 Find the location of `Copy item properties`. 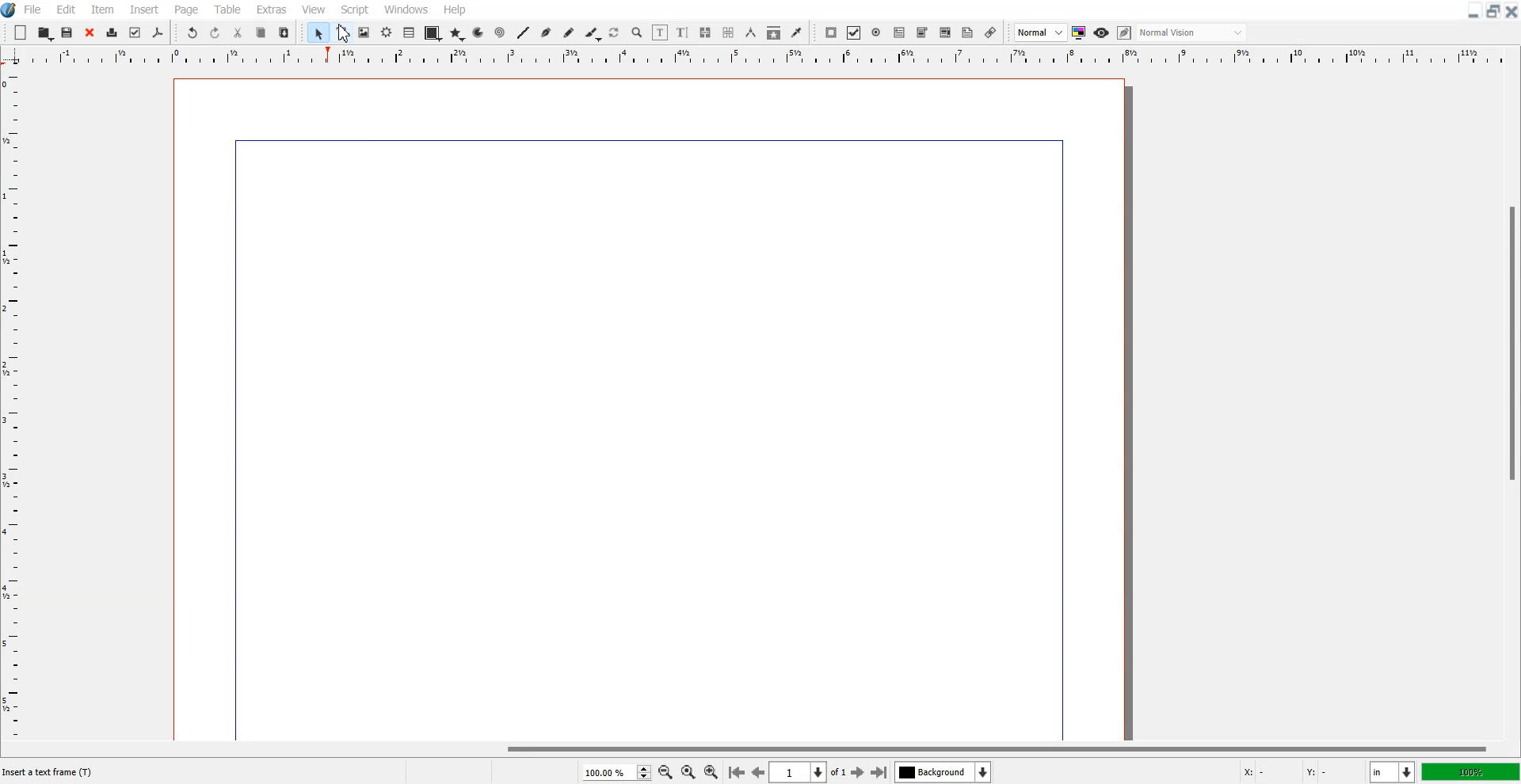

Copy item properties is located at coordinates (774, 33).